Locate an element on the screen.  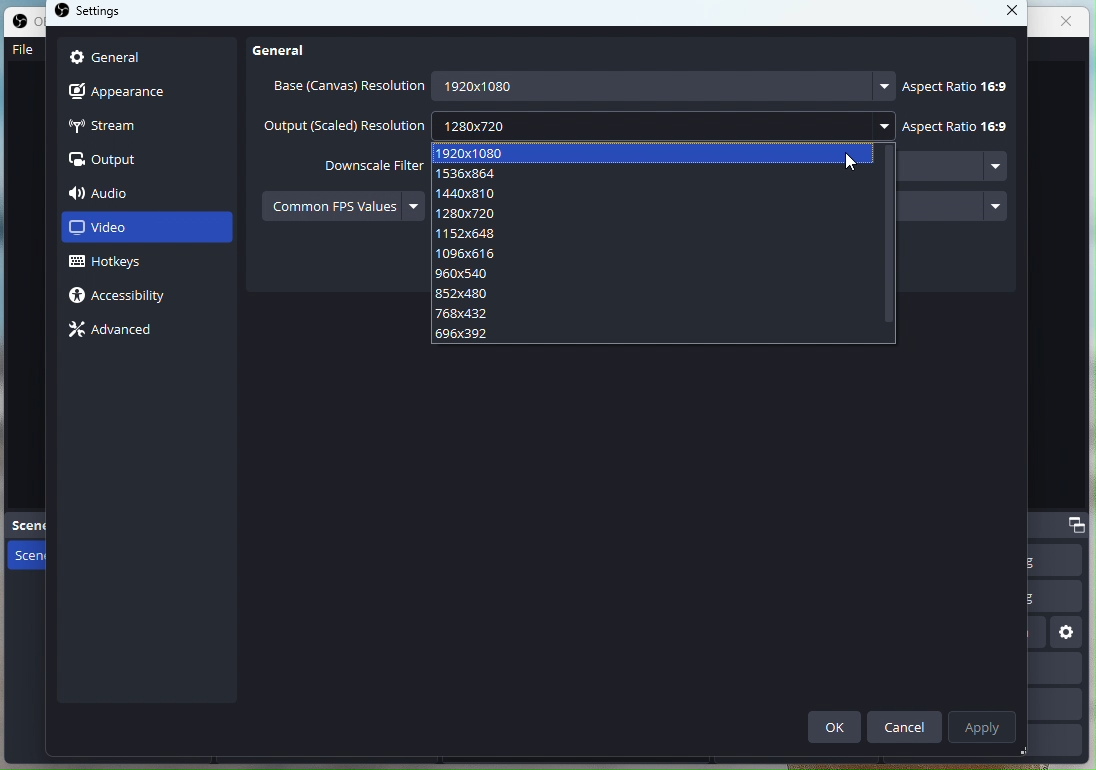
Video is located at coordinates (146, 230).